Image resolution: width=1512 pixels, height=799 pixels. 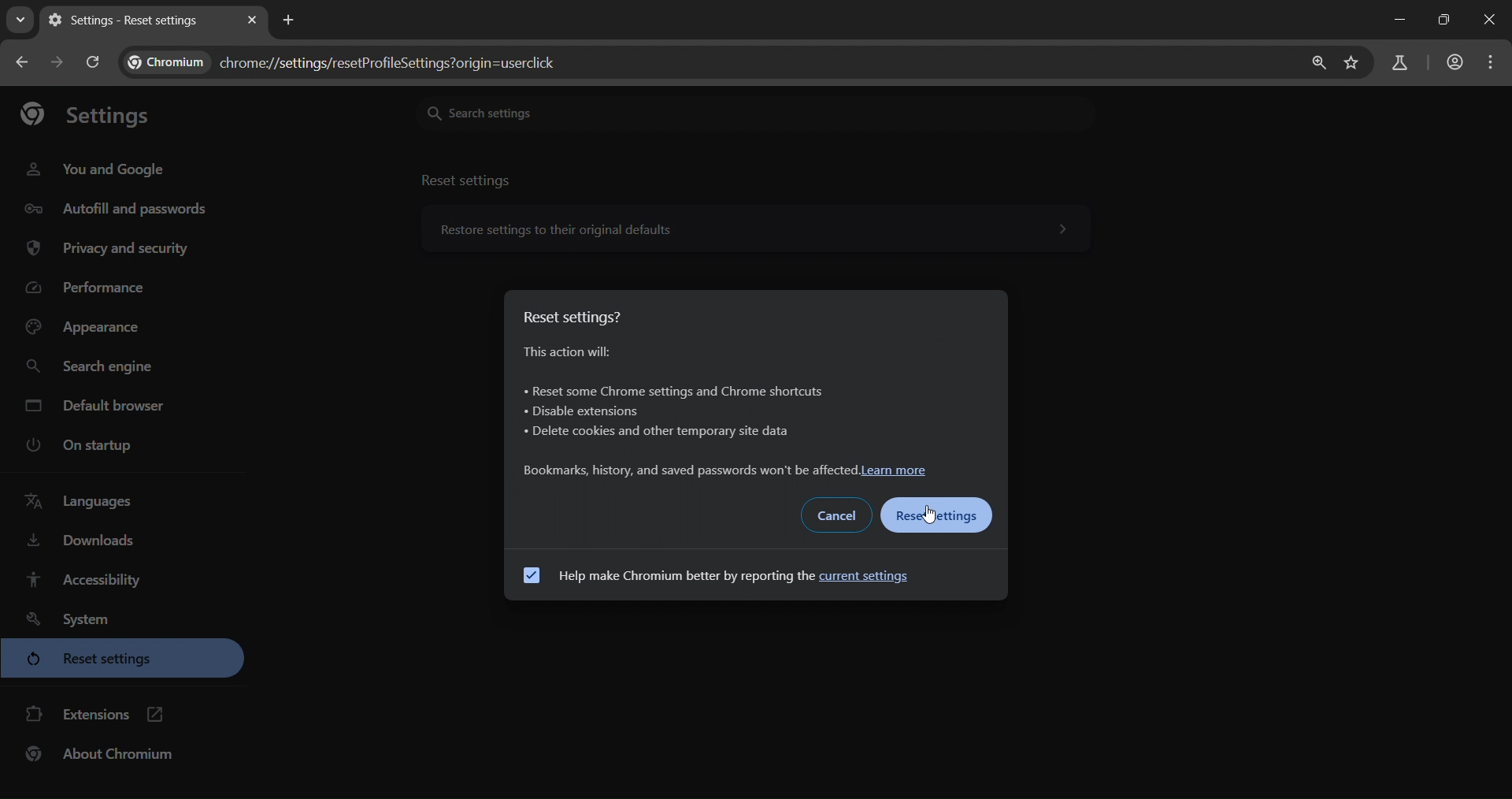 I want to click on downloads, so click(x=84, y=539).